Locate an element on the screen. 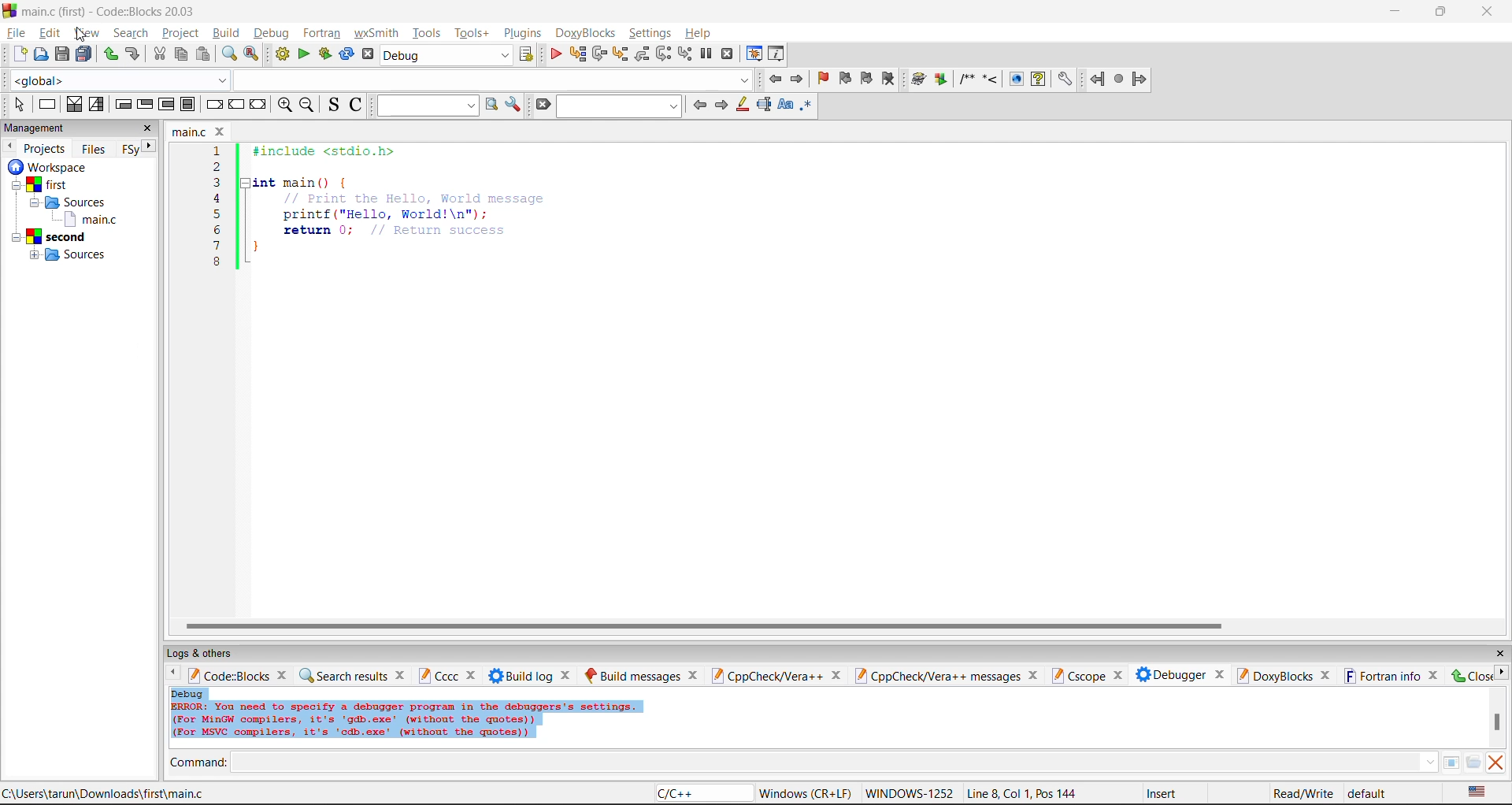  file location is located at coordinates (103, 795).